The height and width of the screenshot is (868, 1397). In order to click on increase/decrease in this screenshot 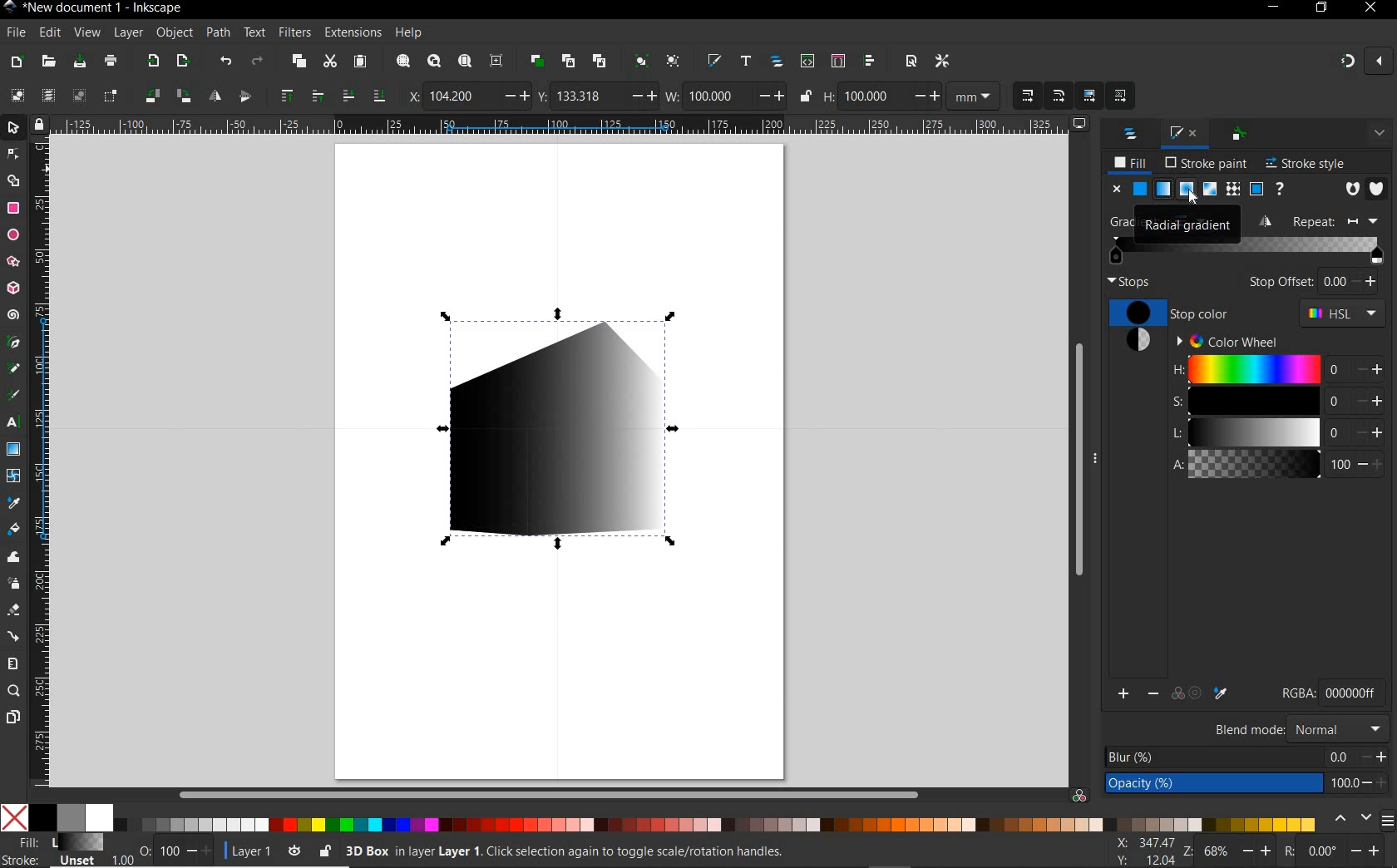, I will do `click(1369, 851)`.